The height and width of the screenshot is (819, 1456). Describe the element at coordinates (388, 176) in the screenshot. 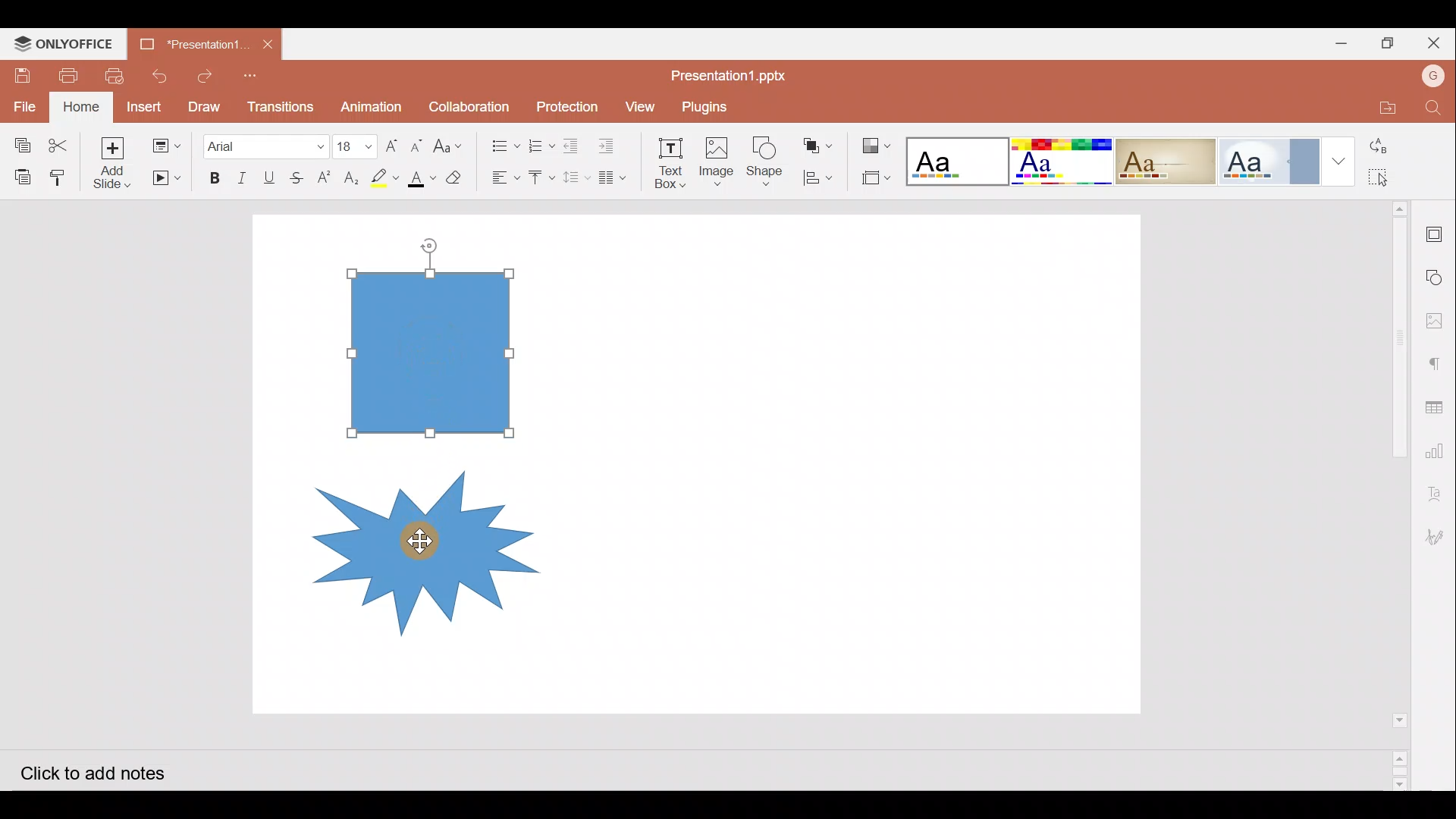

I see `Highlight colour` at that location.